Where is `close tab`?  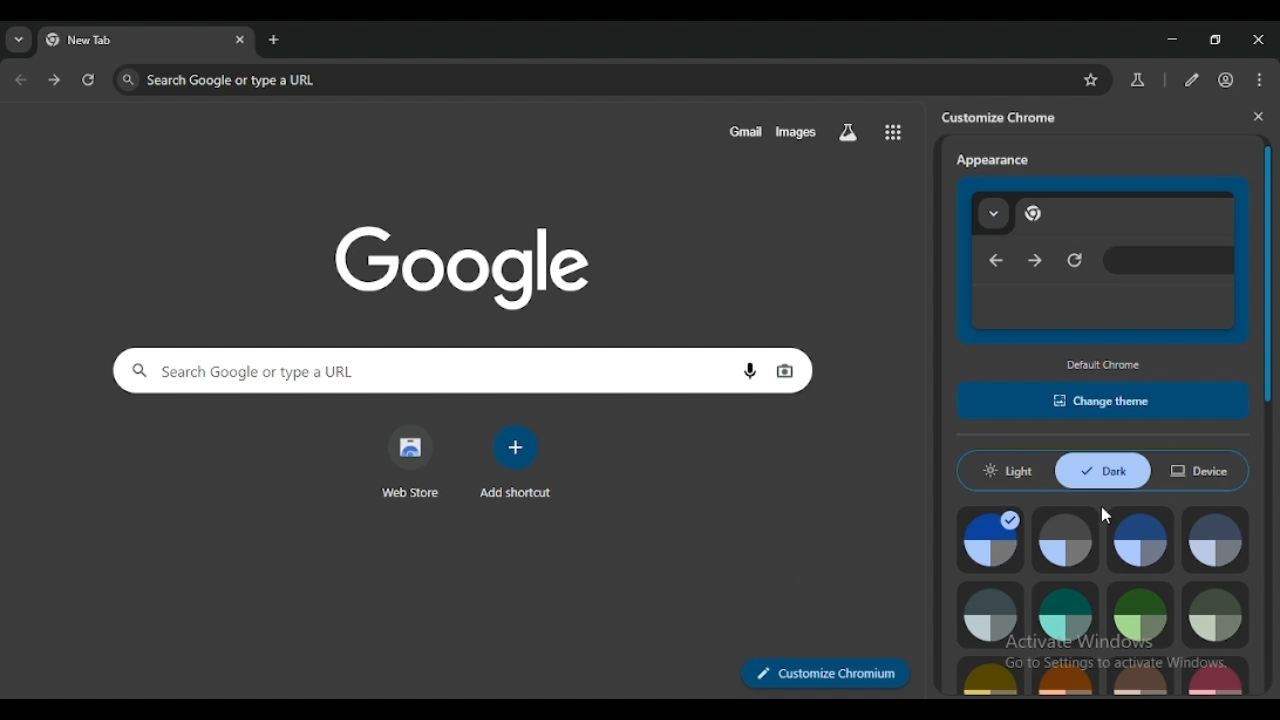 close tab is located at coordinates (240, 39).